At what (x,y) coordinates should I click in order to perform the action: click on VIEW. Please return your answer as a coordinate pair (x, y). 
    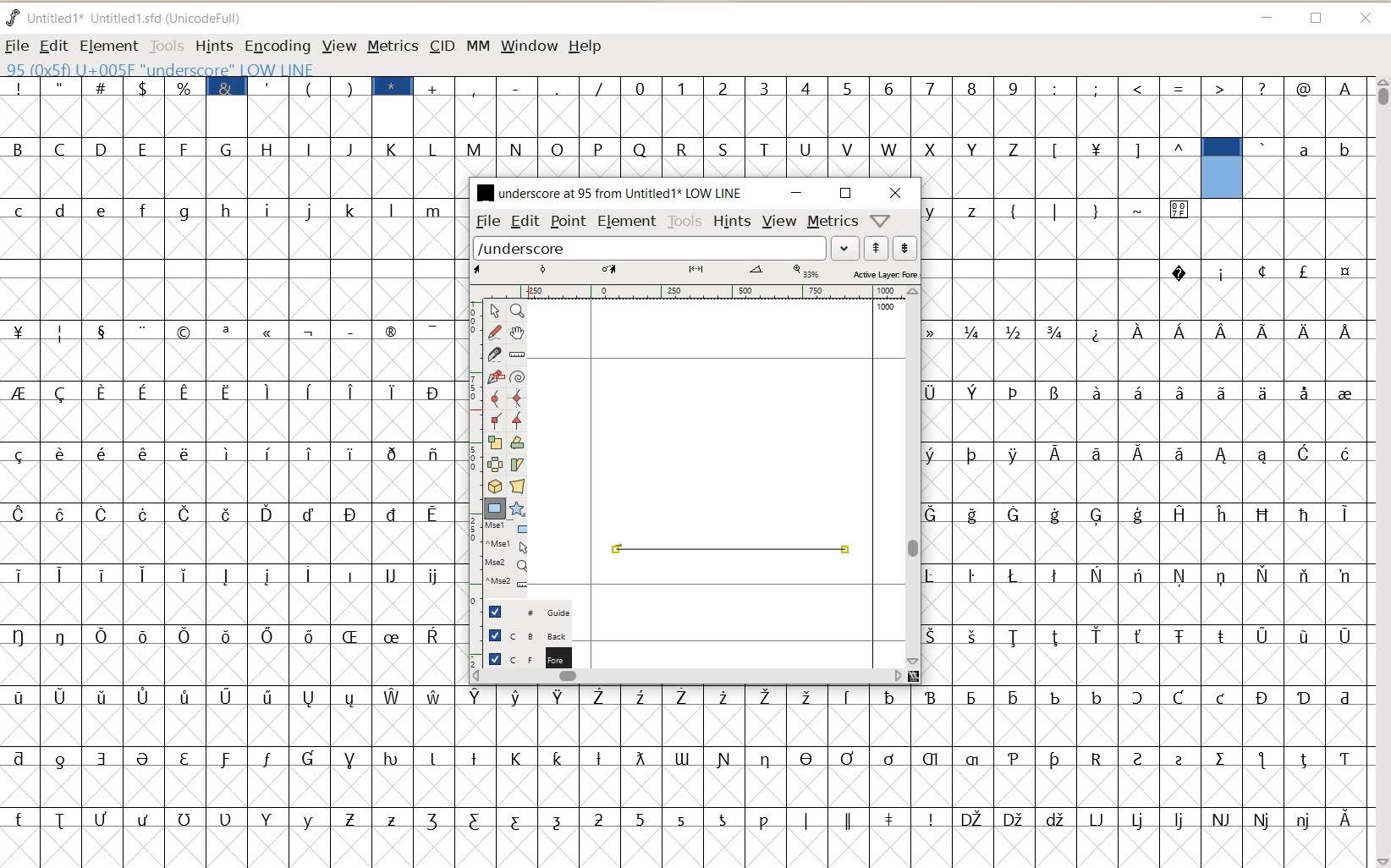
    Looking at the image, I should click on (336, 45).